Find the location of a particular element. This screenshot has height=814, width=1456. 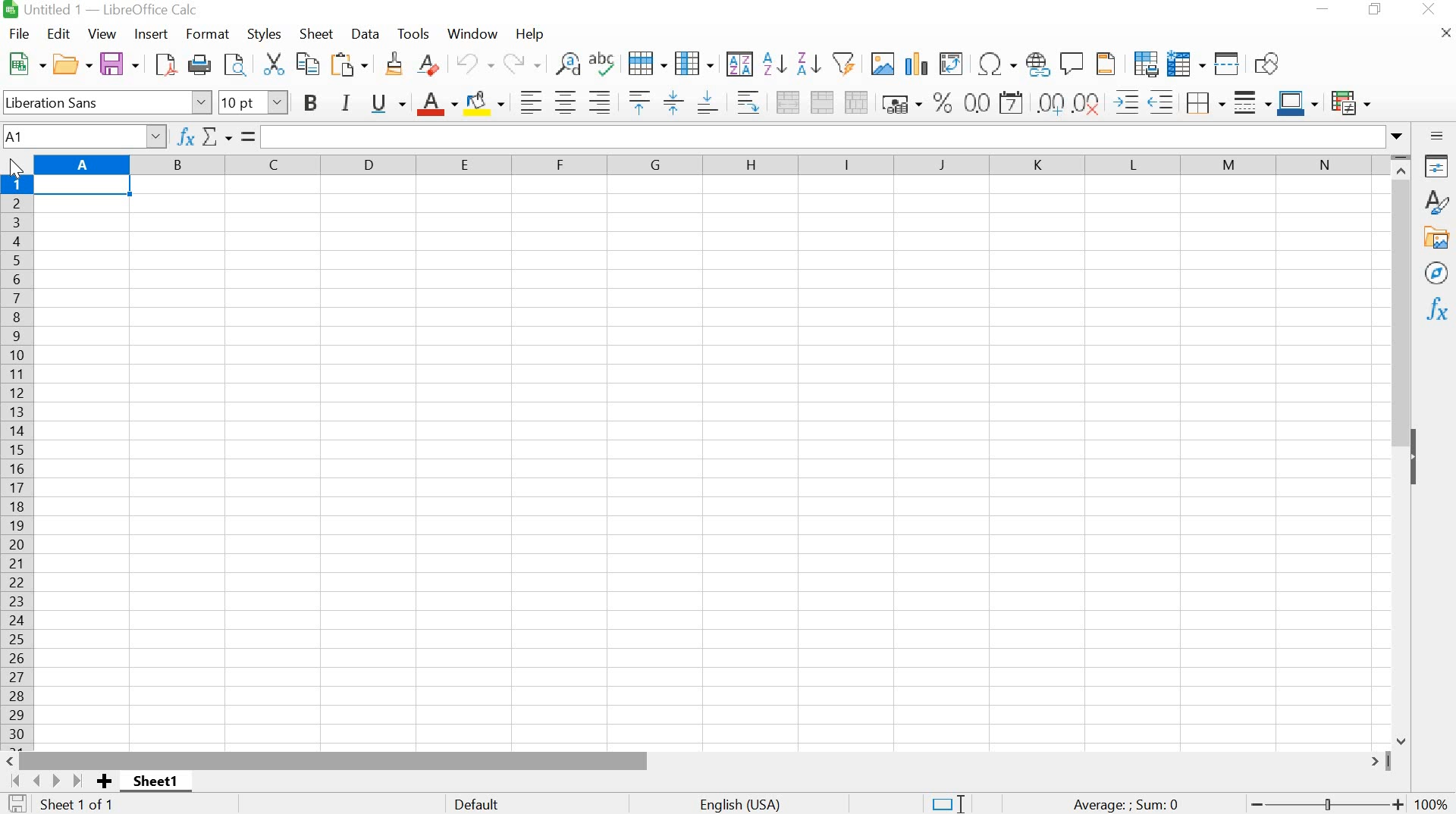

Delete Decimal Place is located at coordinates (1087, 102).